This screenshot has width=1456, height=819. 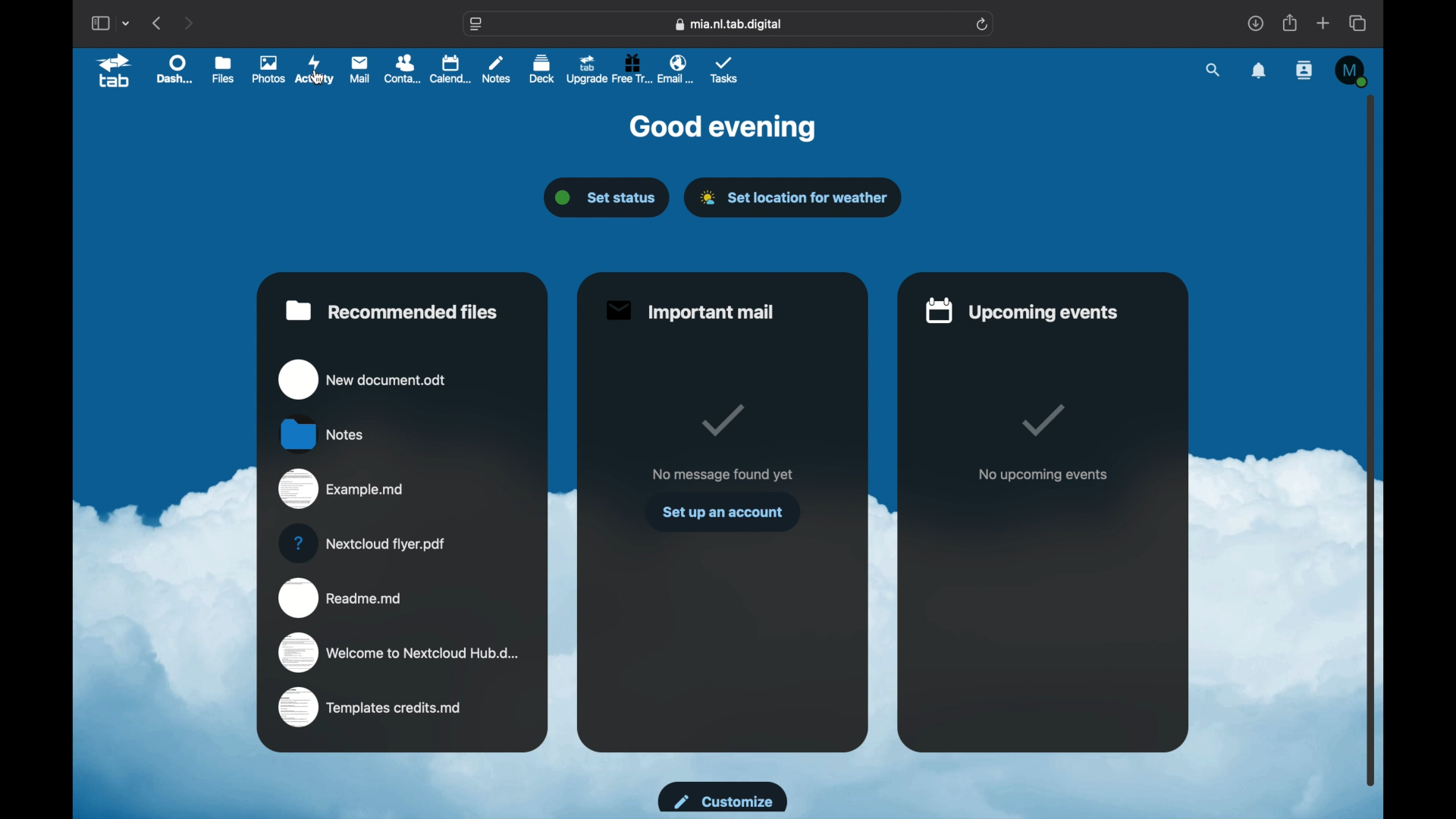 I want to click on set location for weather, so click(x=795, y=198).